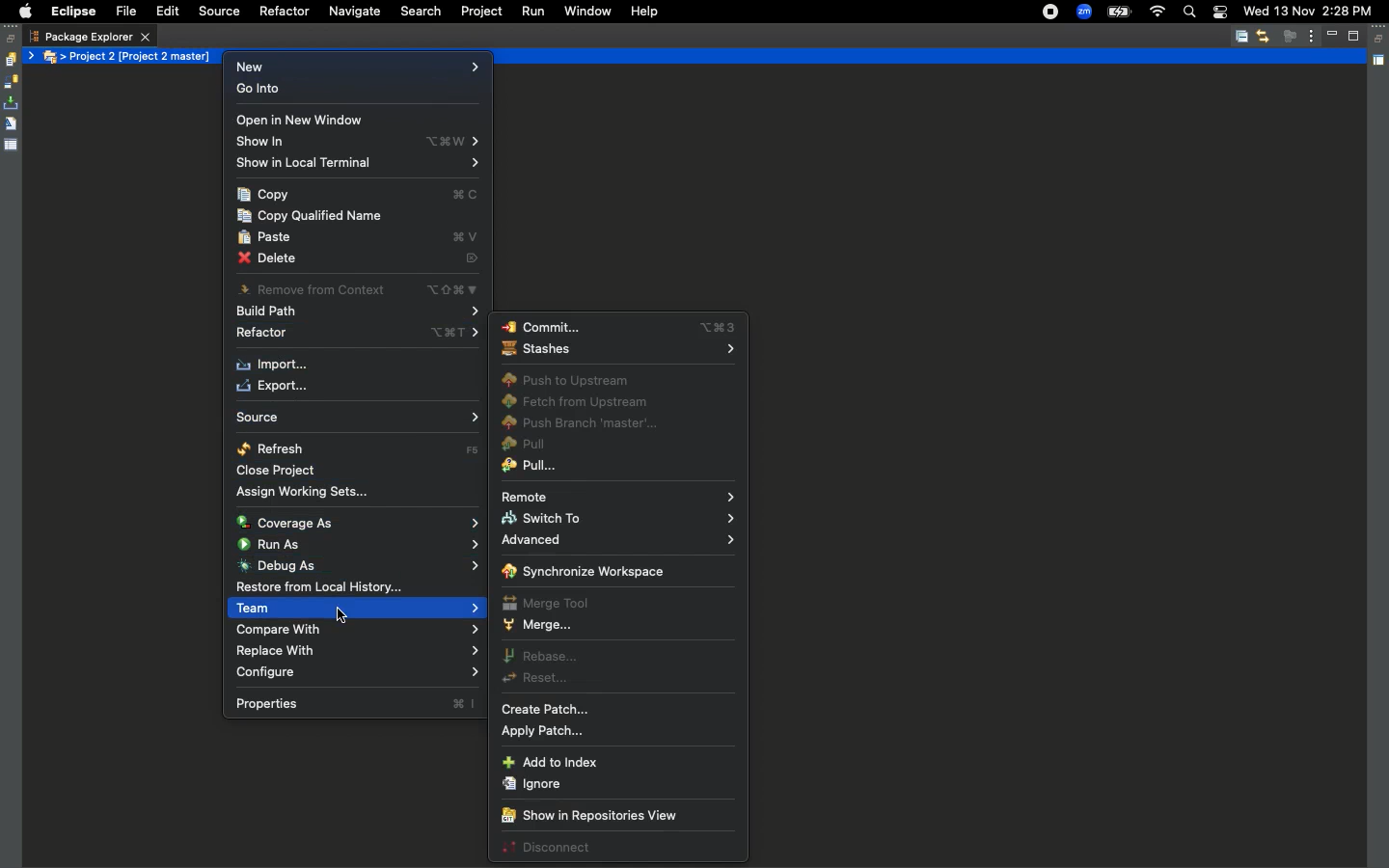 The image size is (1389, 868). Describe the element at coordinates (360, 674) in the screenshot. I see `Configure` at that location.